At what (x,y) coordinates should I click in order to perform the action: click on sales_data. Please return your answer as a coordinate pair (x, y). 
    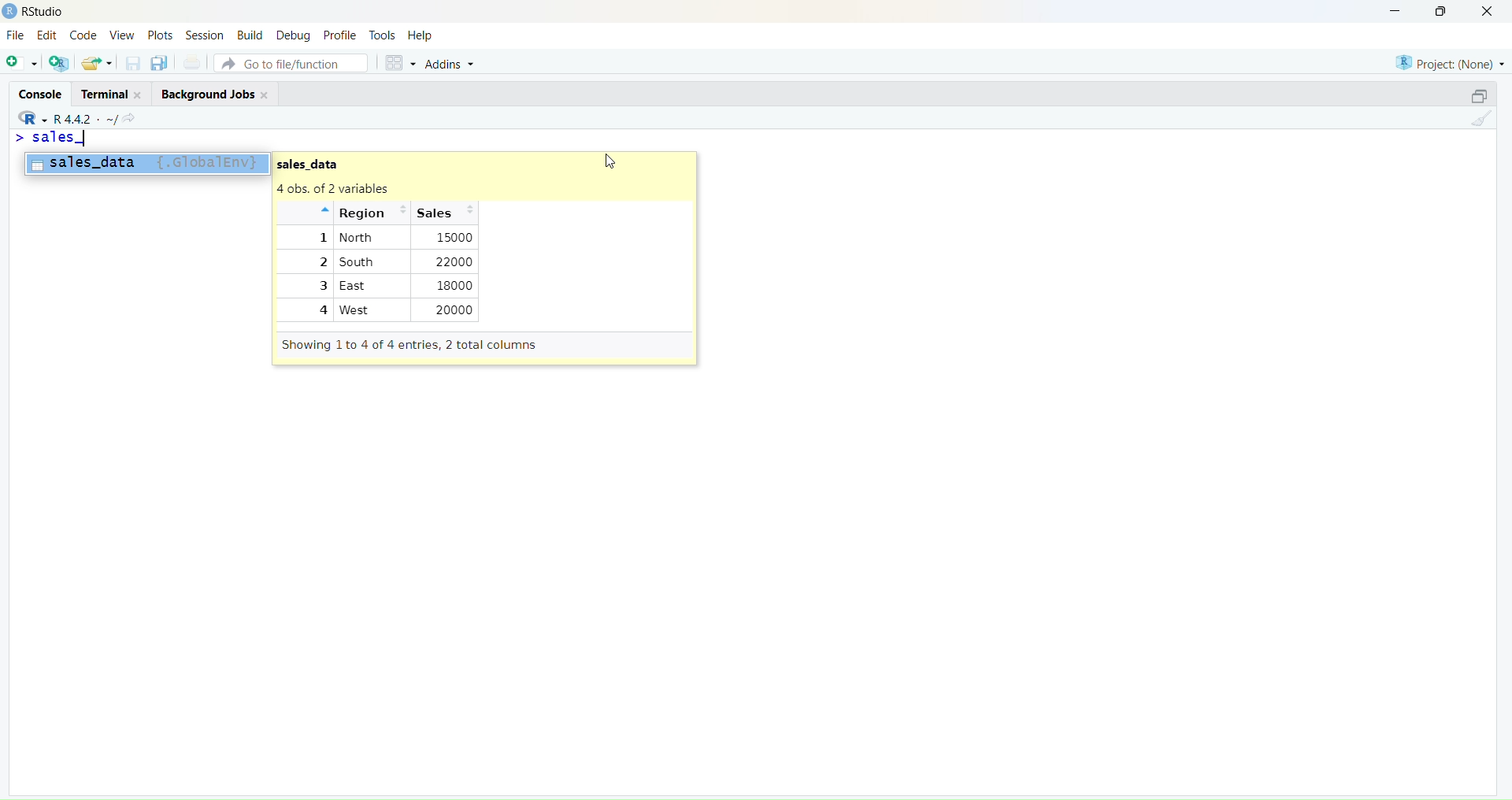
    Looking at the image, I should click on (146, 163).